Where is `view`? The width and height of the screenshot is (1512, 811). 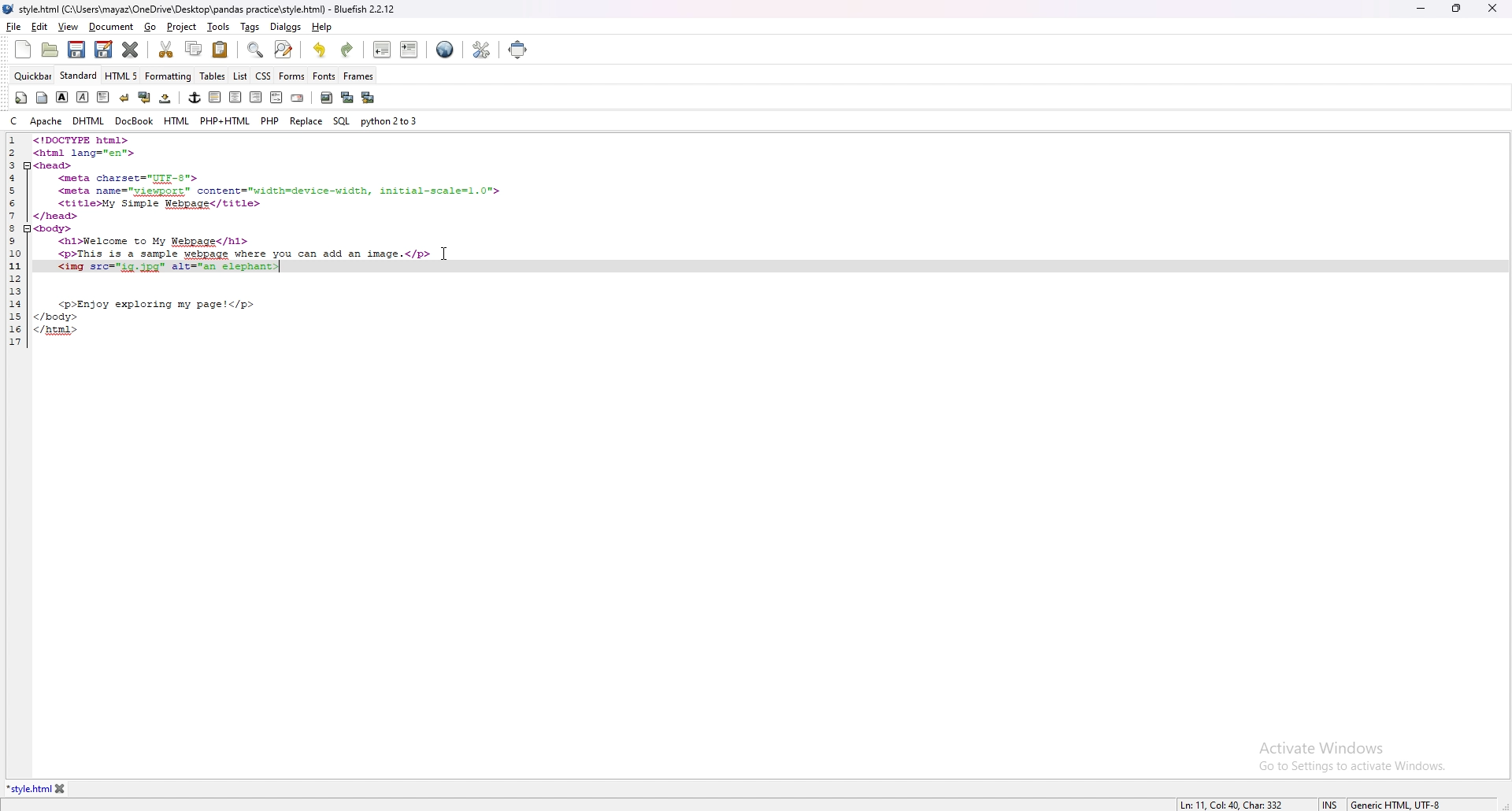 view is located at coordinates (69, 26).